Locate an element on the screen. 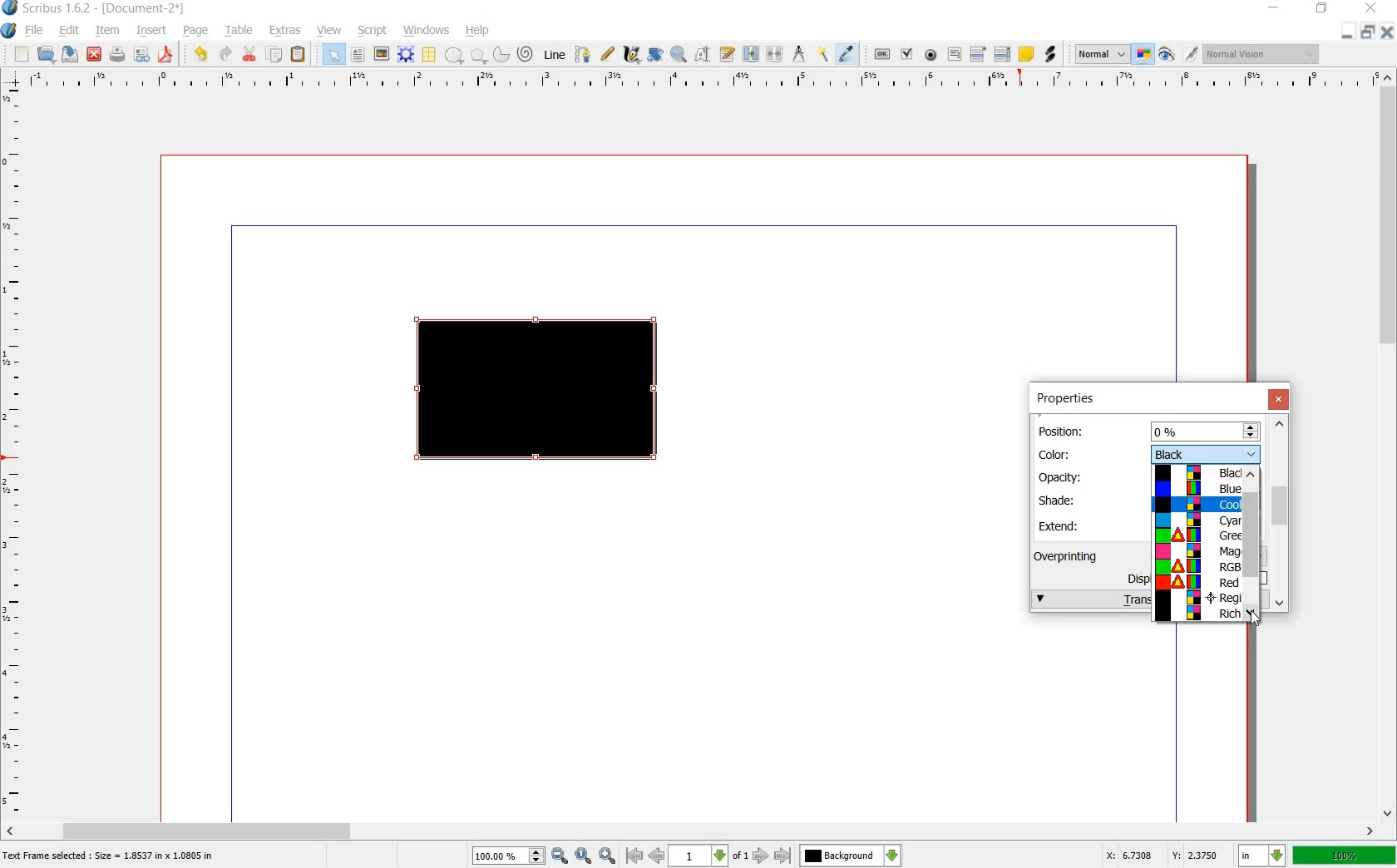 Image resolution: width=1397 pixels, height=868 pixels. position is located at coordinates (1064, 430).